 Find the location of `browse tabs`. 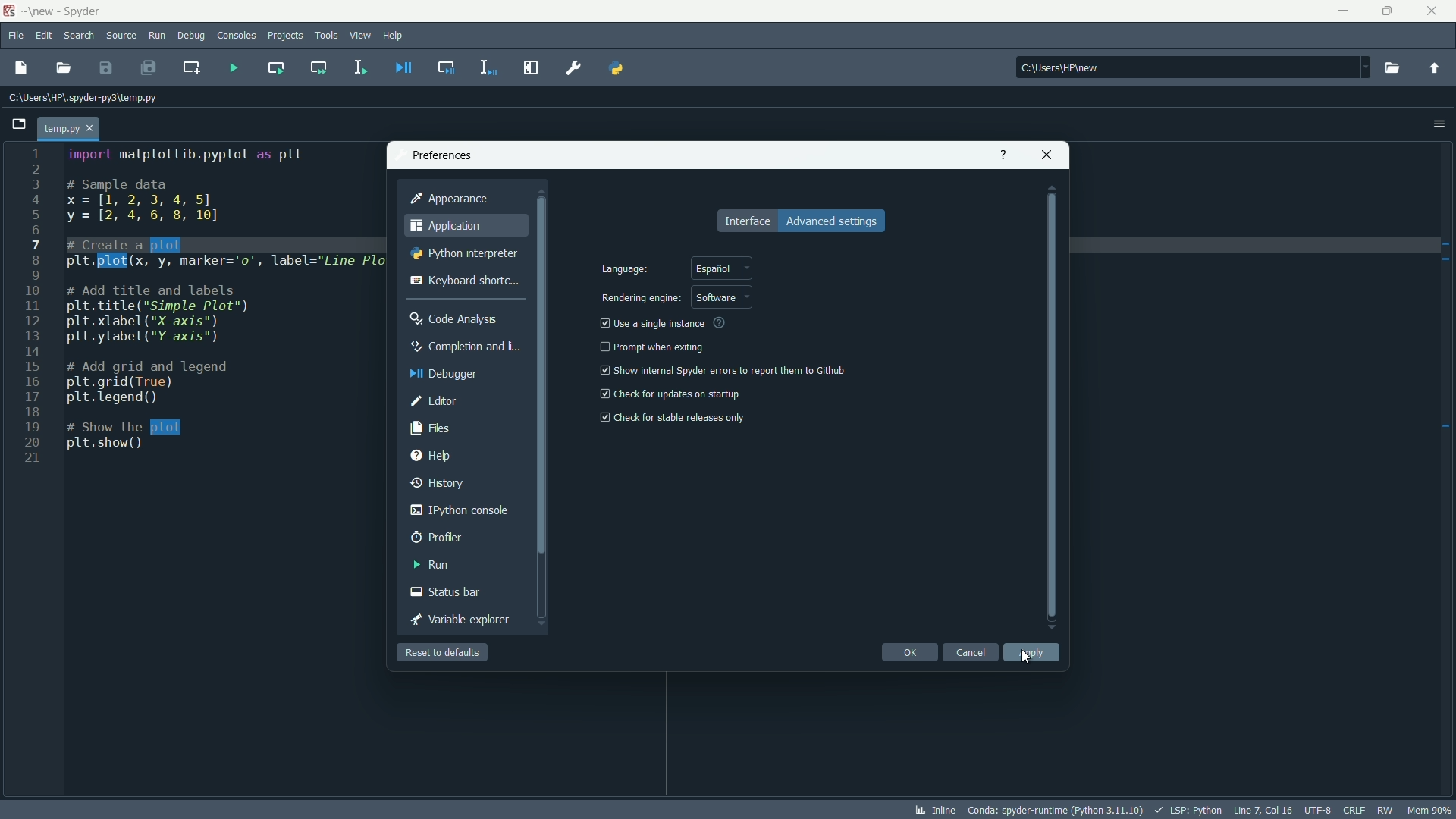

browse tabs is located at coordinates (15, 126).